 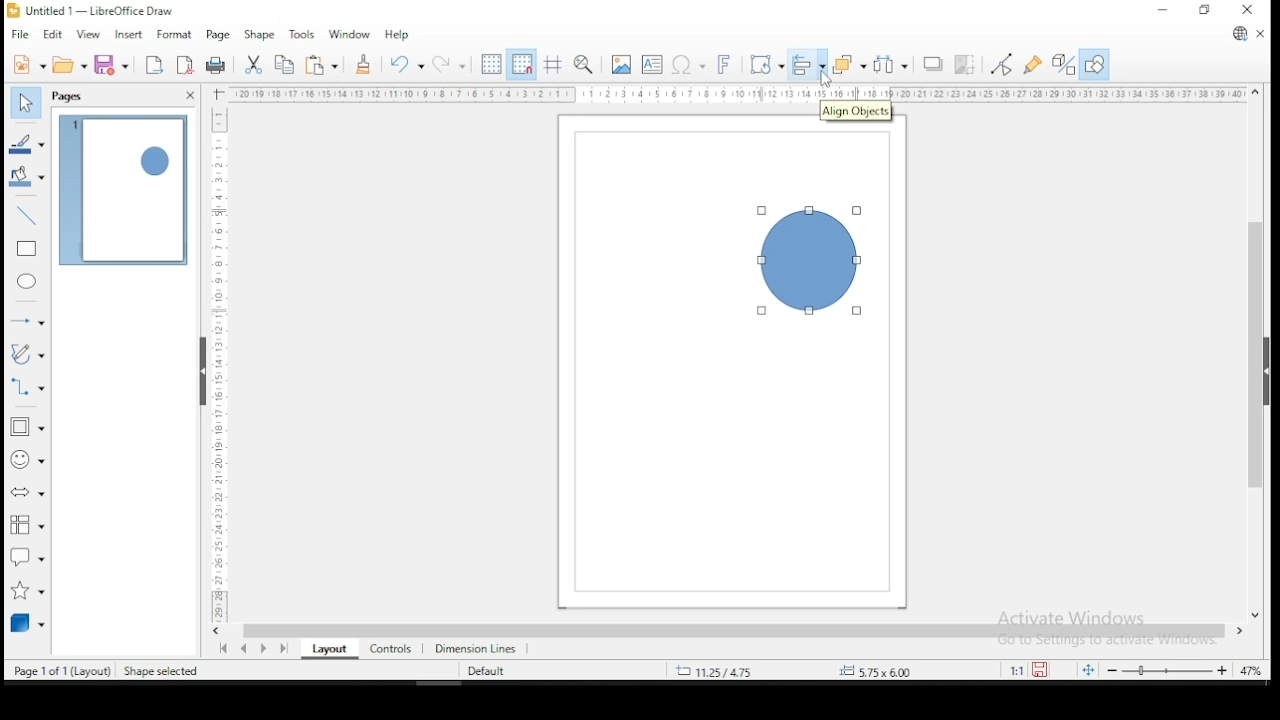 I want to click on 11.25/4.75, so click(x=719, y=670).